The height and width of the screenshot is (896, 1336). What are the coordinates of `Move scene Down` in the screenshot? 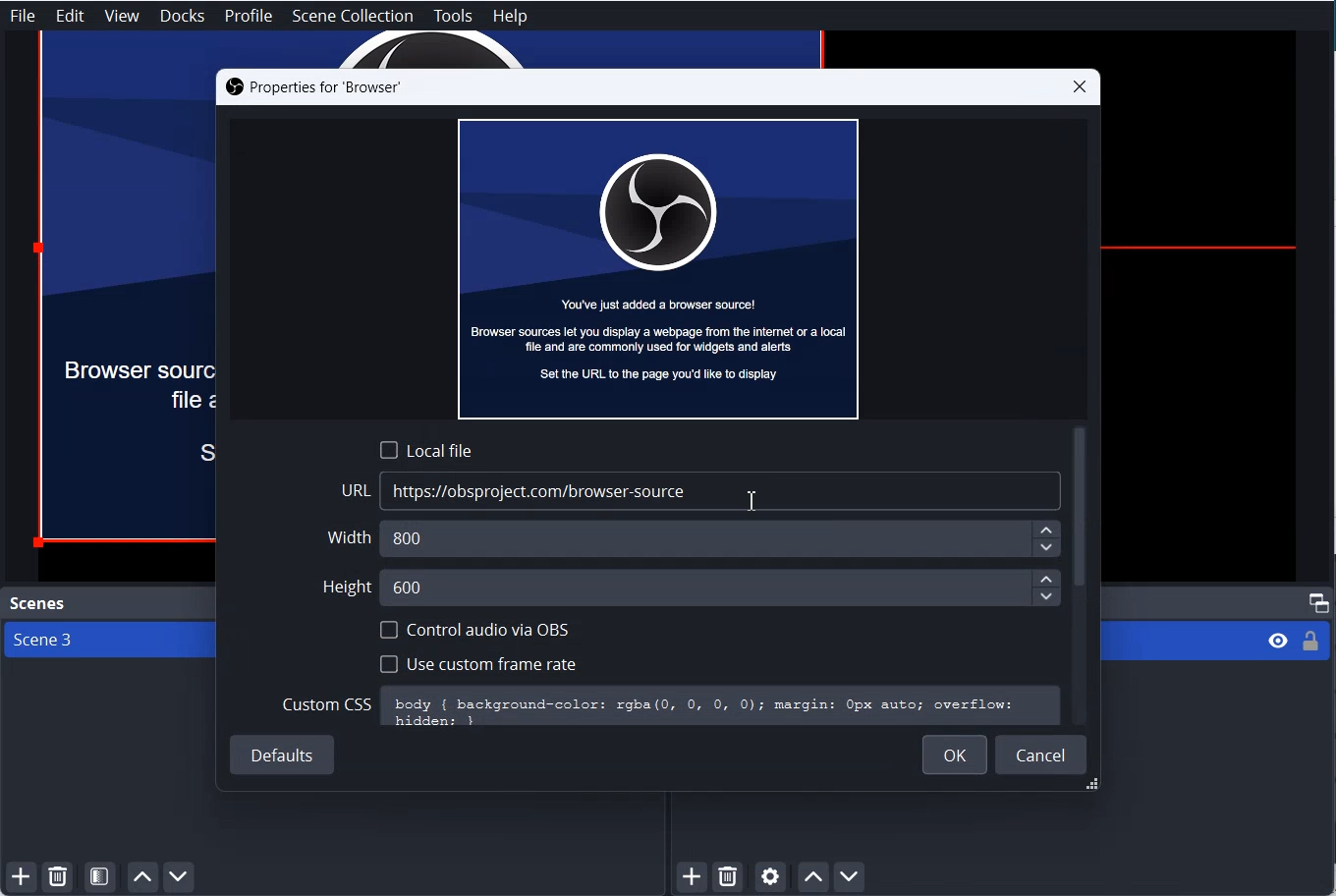 It's located at (181, 877).